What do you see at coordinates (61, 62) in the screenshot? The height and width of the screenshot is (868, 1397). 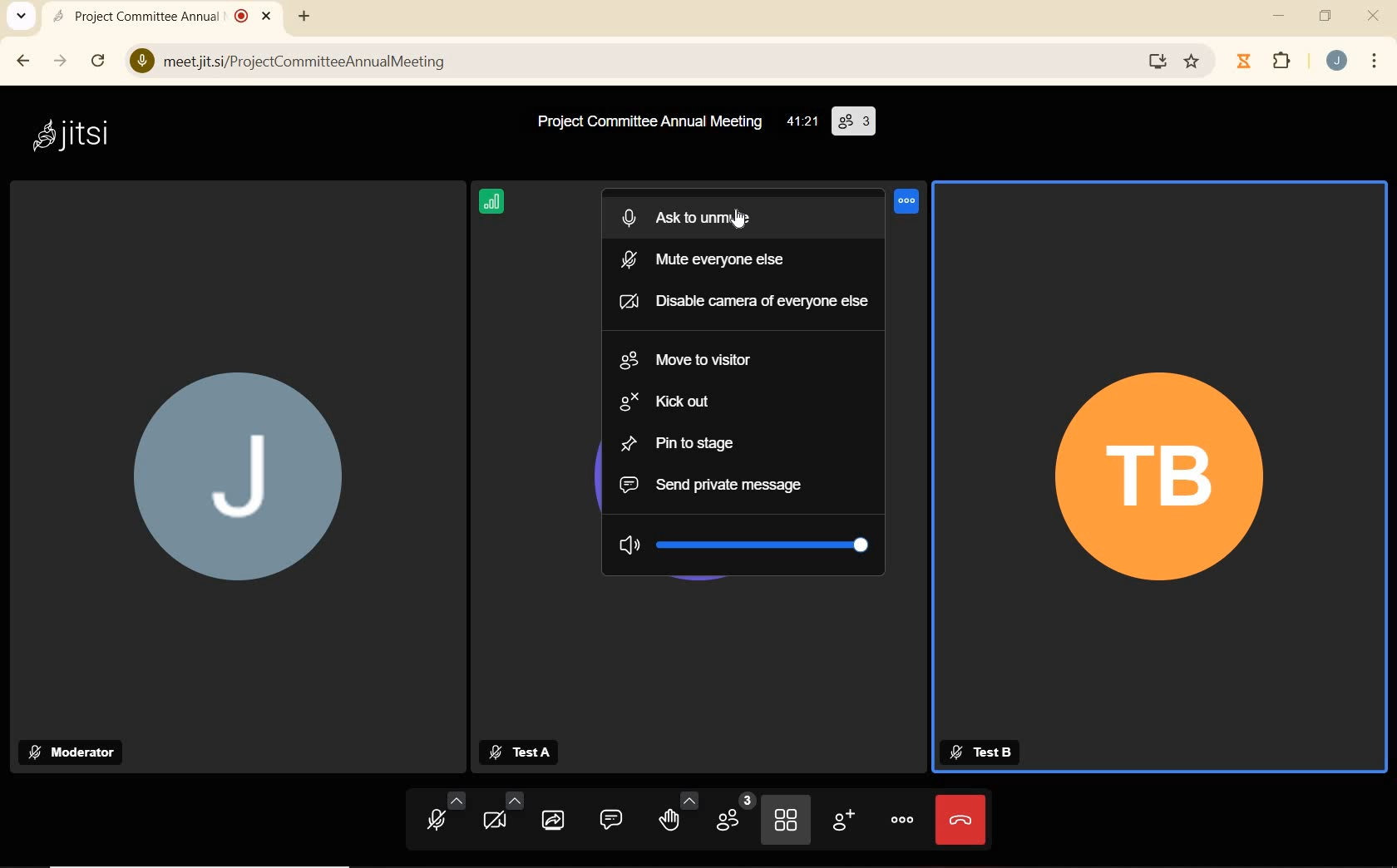 I see `FORWARD` at bounding box center [61, 62].